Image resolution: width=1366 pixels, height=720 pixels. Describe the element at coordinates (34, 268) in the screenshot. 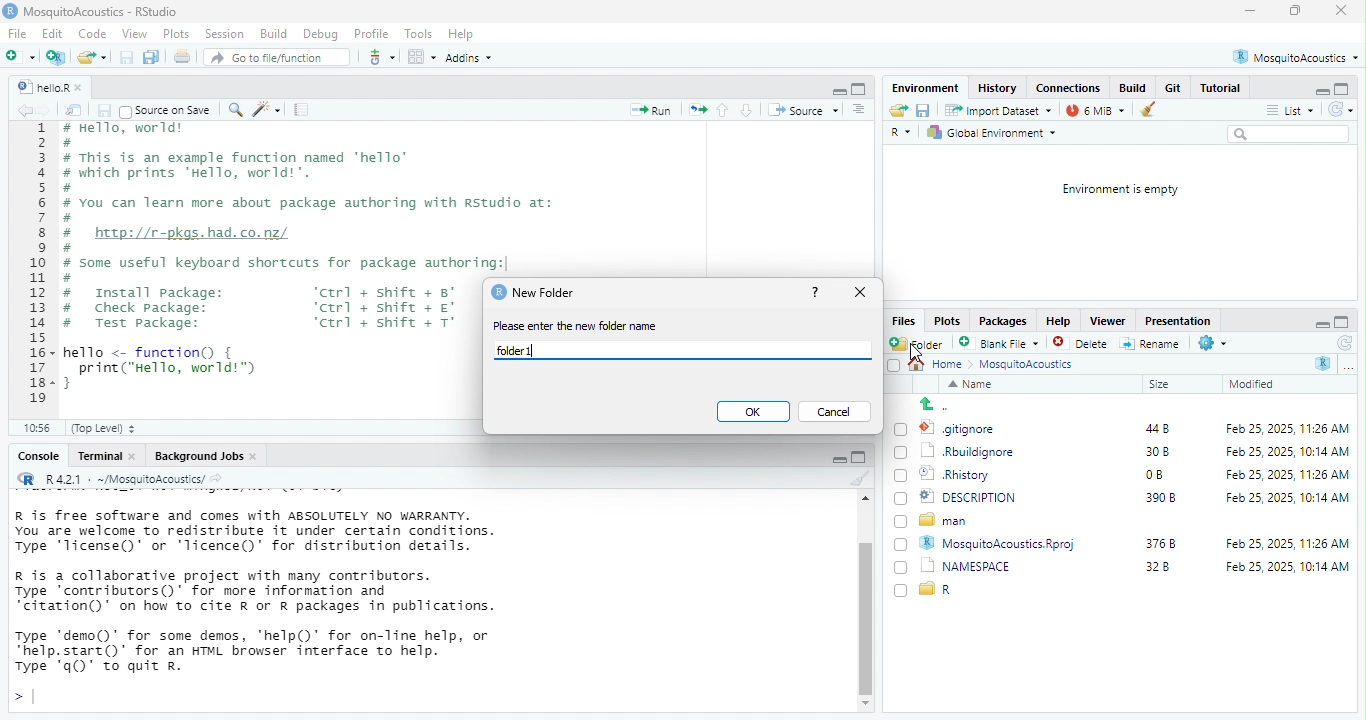

I see `+
2
3
4
5
6
7
8
9

10
11
12
13
14
15
16
17
18
19` at that location.